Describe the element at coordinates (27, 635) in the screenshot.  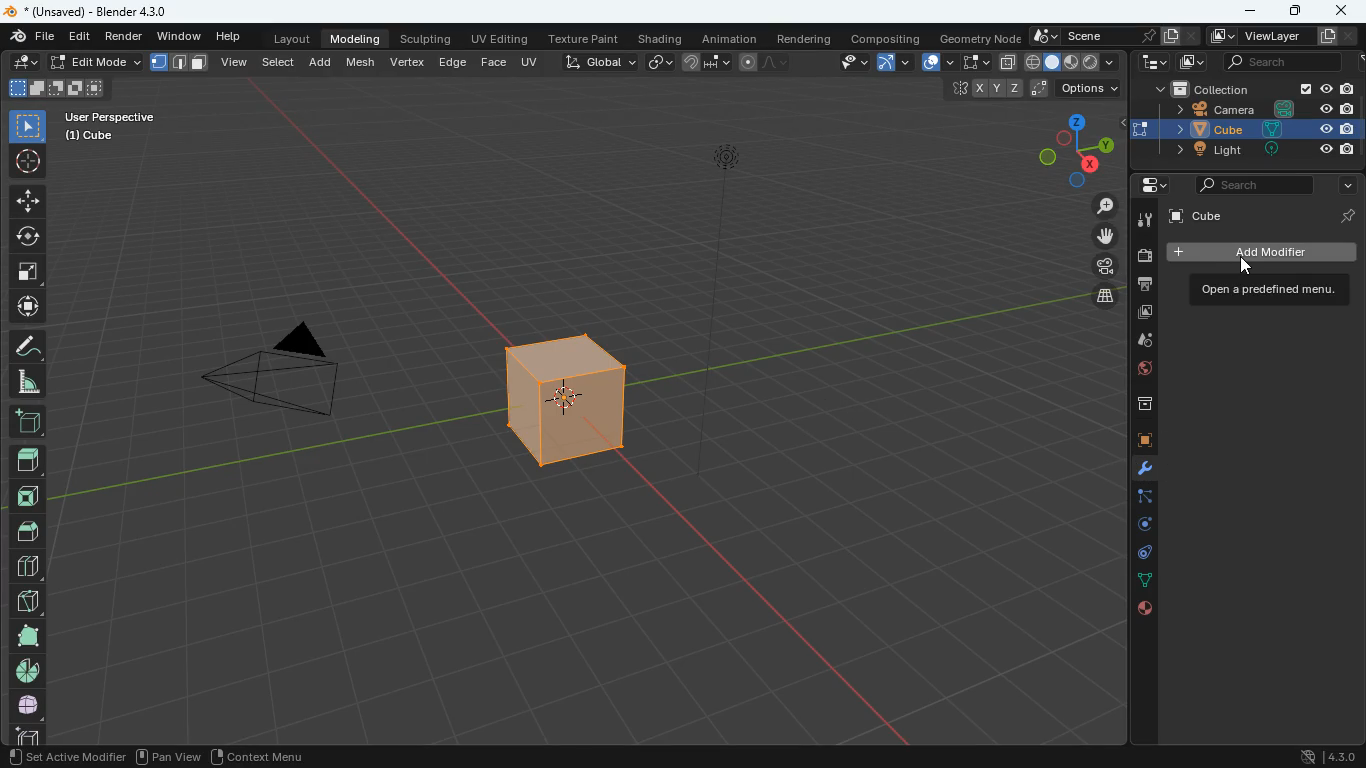
I see `shape` at that location.